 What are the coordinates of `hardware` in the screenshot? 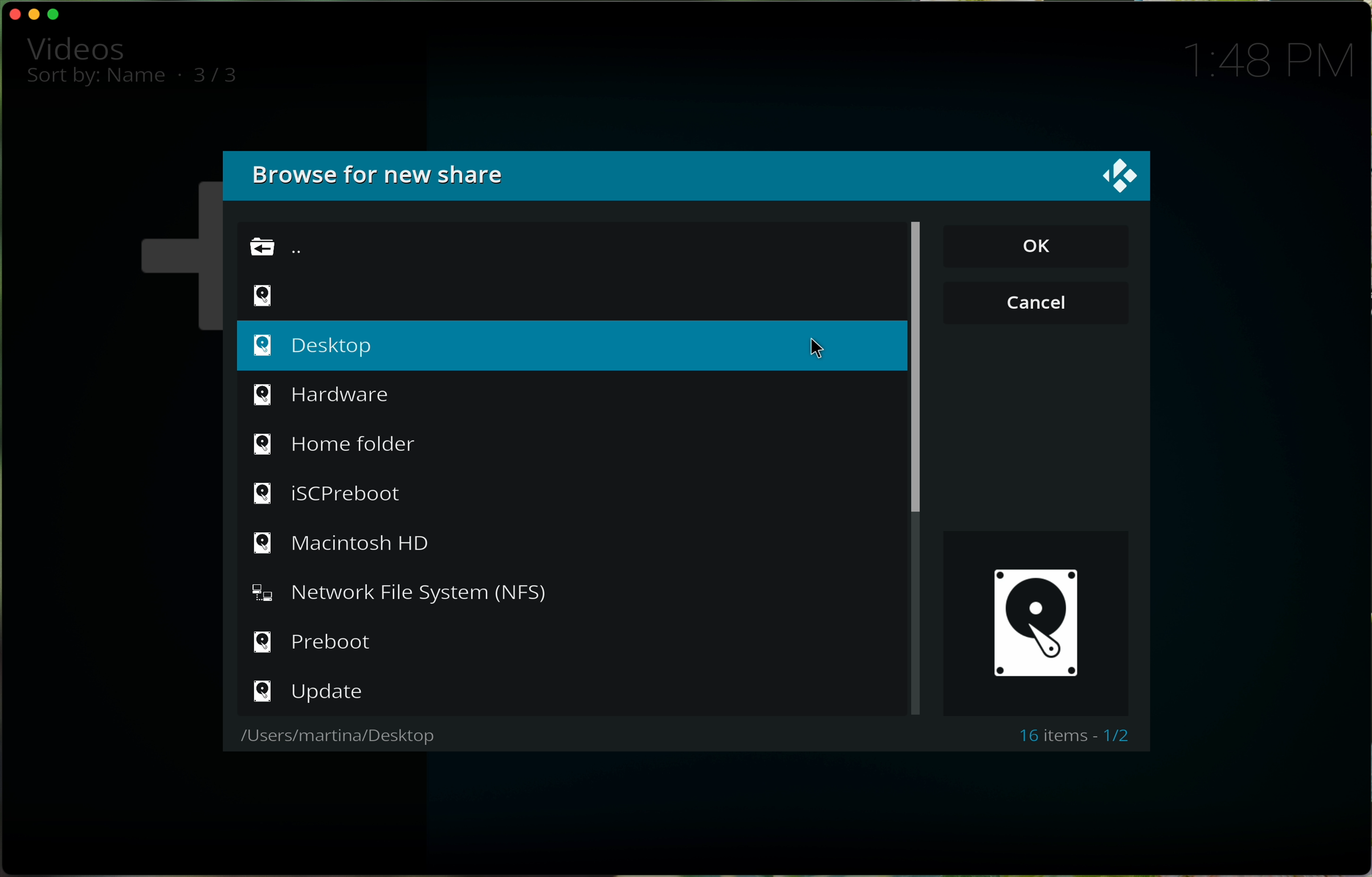 It's located at (324, 395).